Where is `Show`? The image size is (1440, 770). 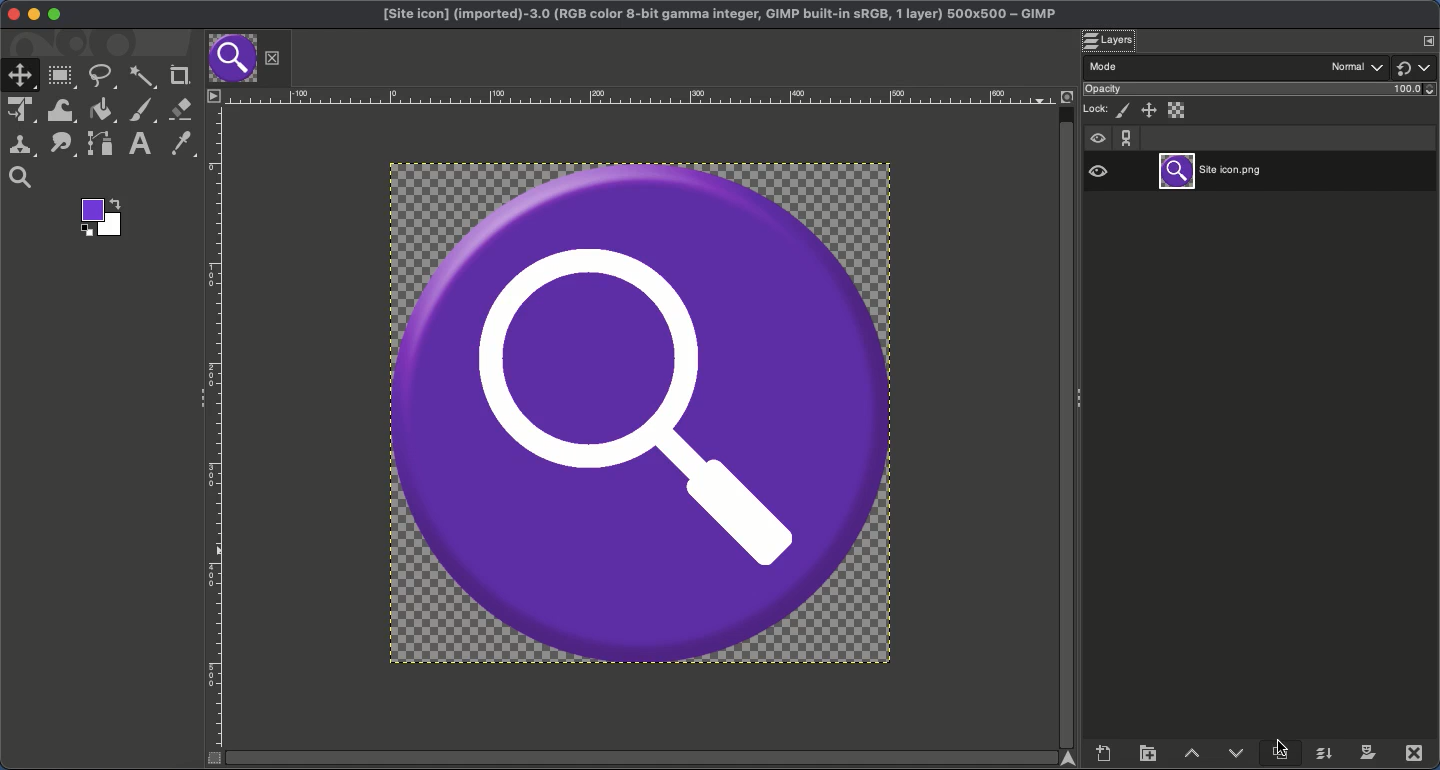
Show is located at coordinates (1098, 136).